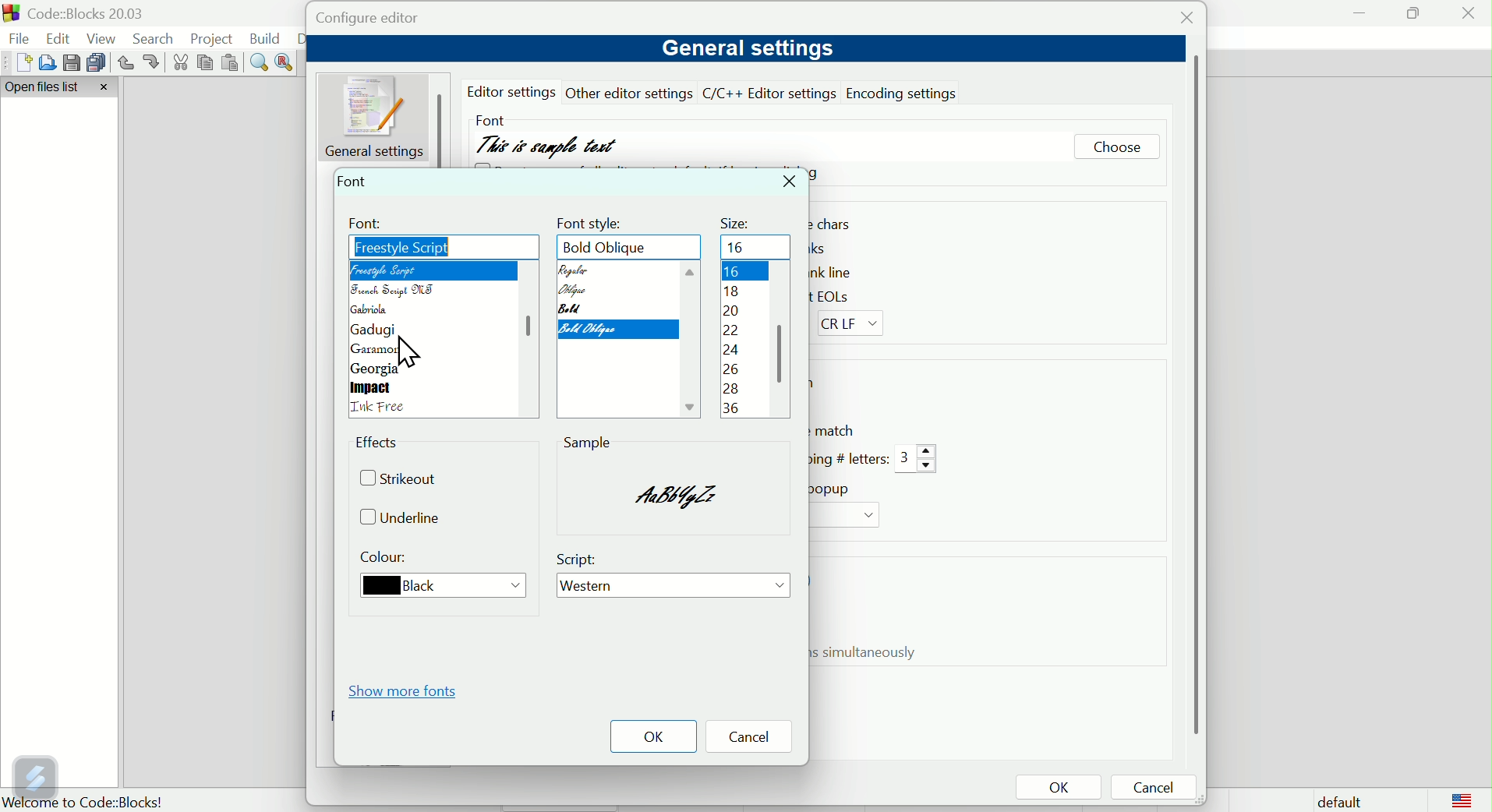  I want to click on Oblique, so click(569, 290).